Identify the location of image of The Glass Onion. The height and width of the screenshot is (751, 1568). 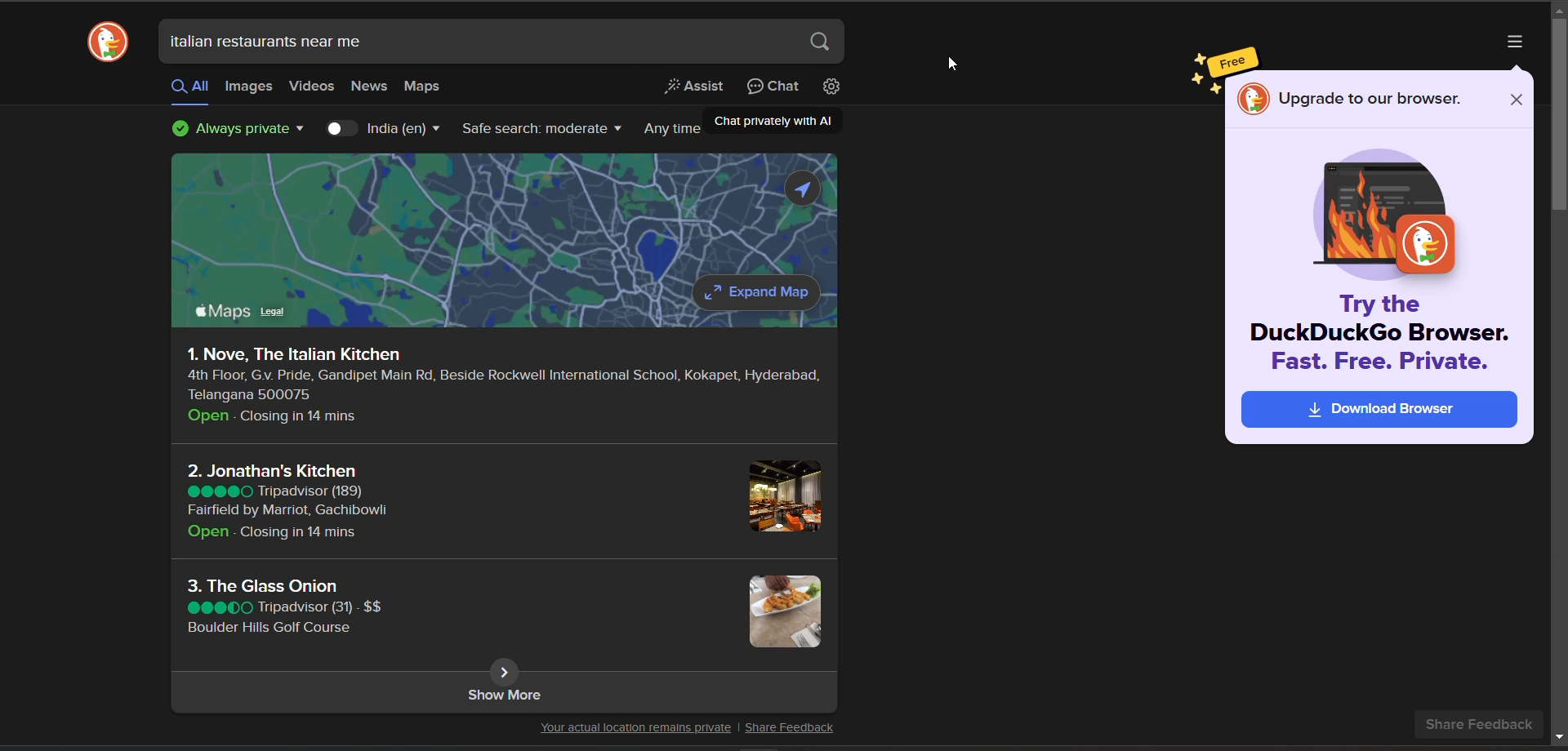
(786, 610).